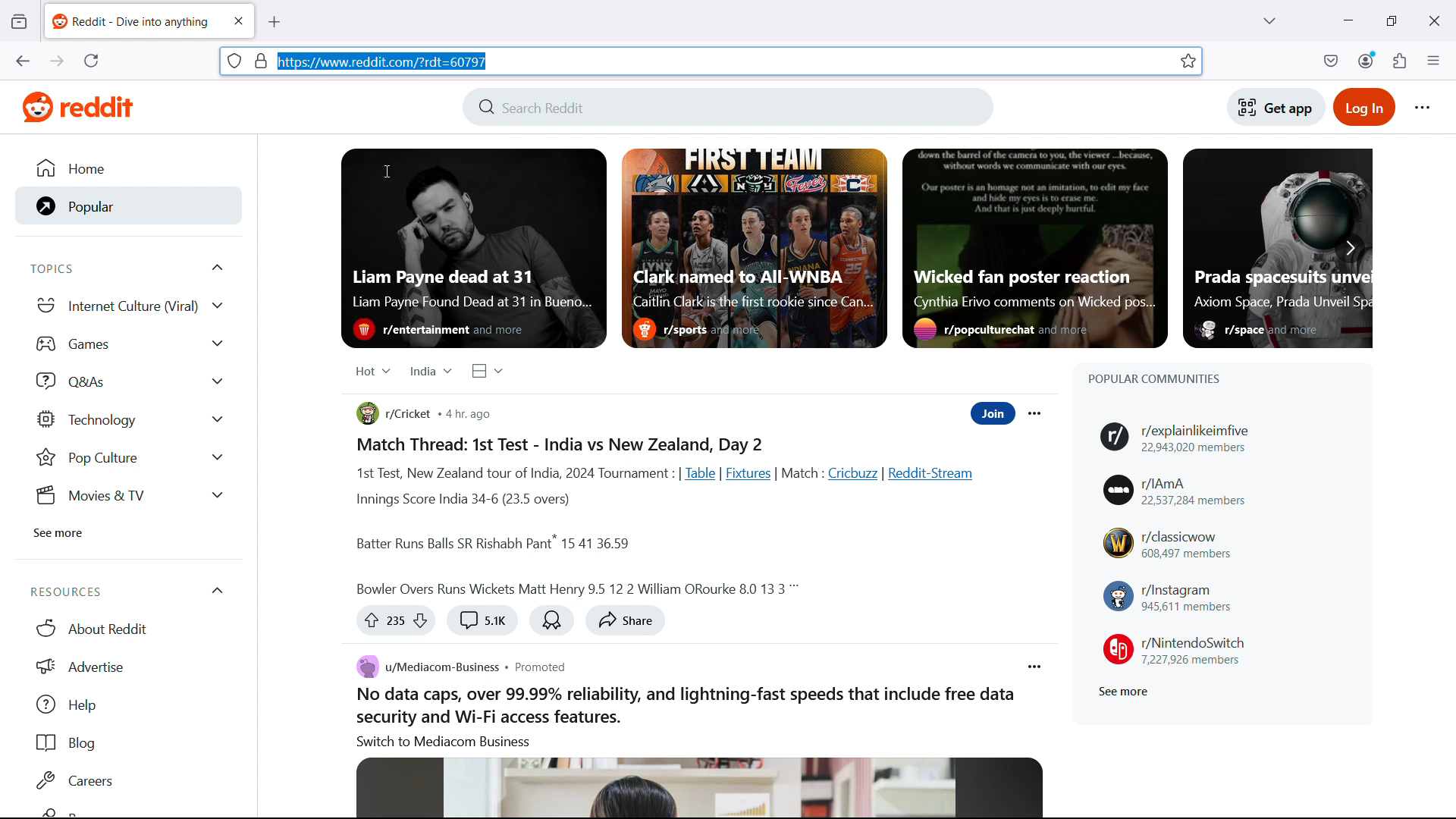 Image resolution: width=1456 pixels, height=819 pixels. I want to click on tab title, so click(131, 21).